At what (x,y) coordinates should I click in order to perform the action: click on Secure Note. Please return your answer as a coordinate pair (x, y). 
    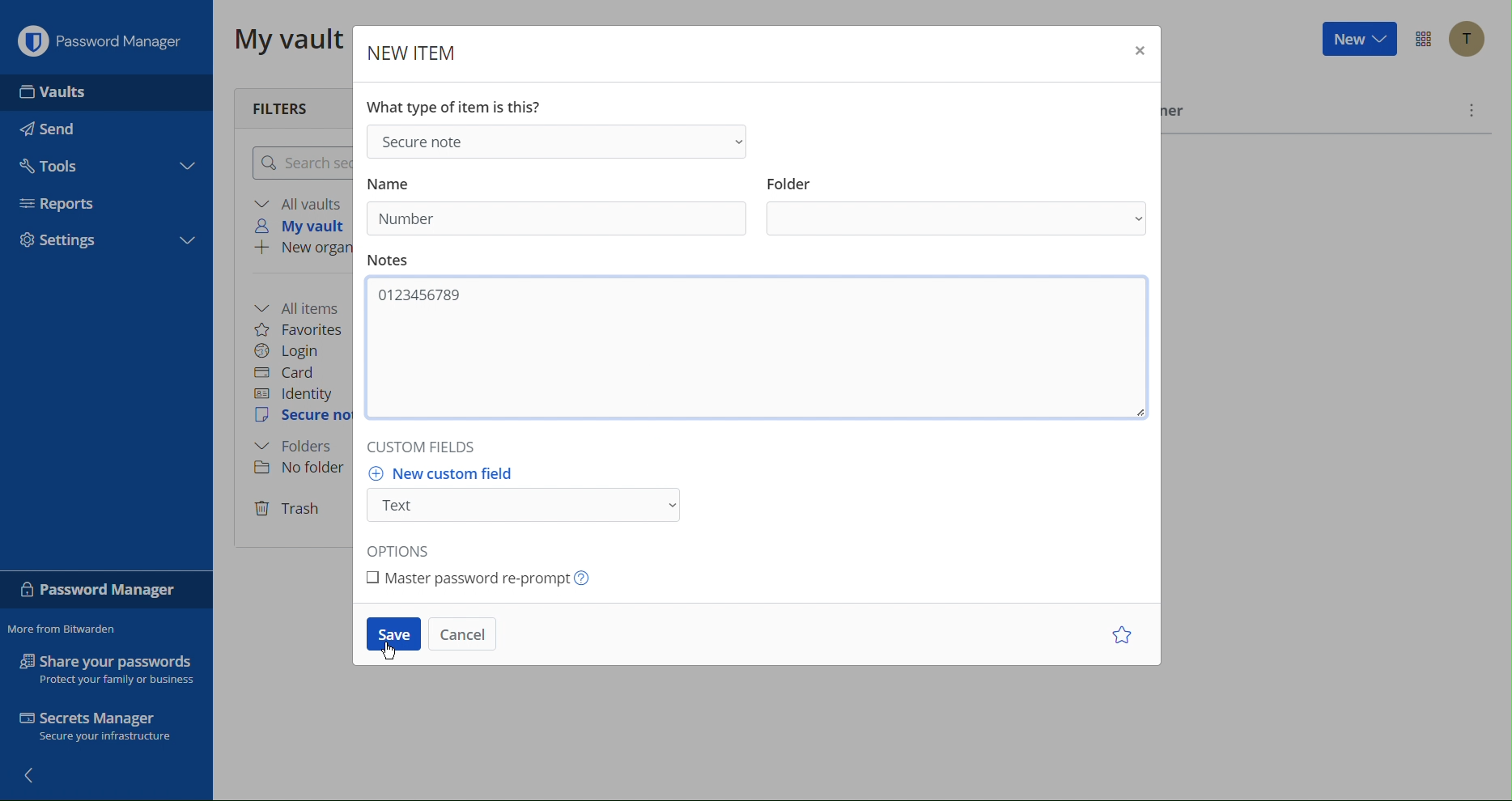
    Looking at the image, I should click on (560, 140).